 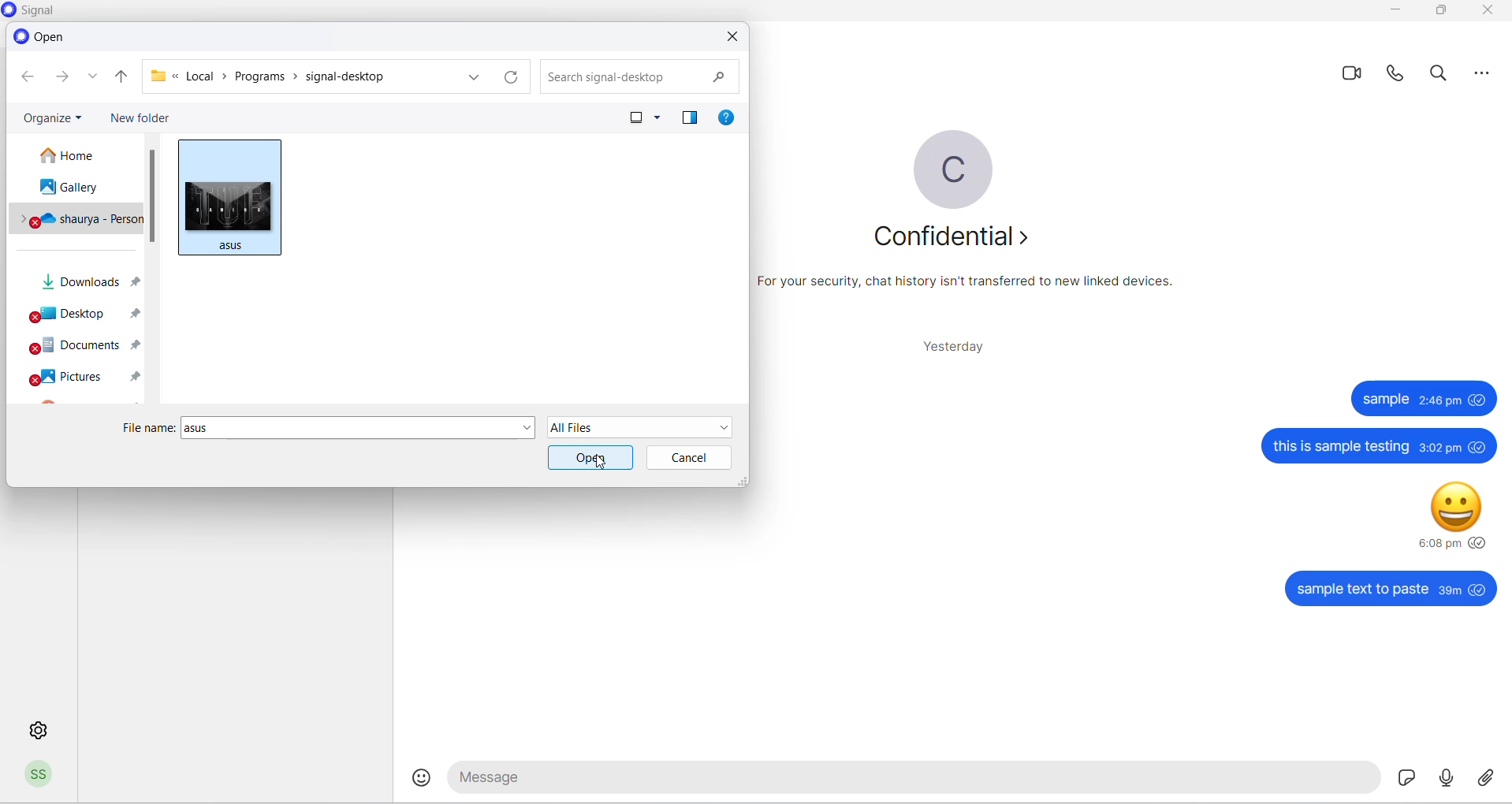 I want to click on sticker, so click(x=1399, y=777).